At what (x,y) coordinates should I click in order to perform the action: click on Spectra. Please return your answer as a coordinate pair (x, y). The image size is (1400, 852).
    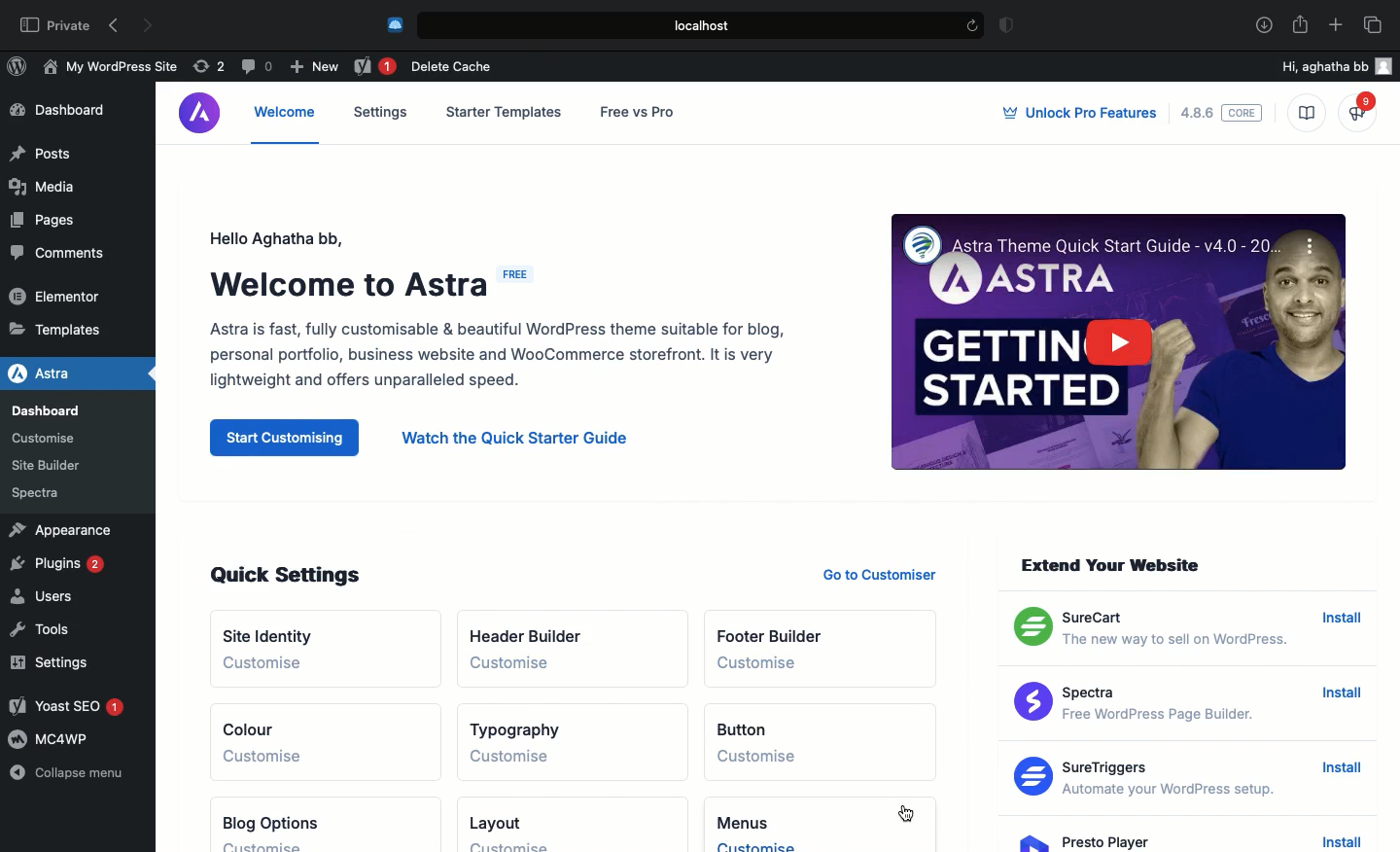
    Looking at the image, I should click on (59, 496).